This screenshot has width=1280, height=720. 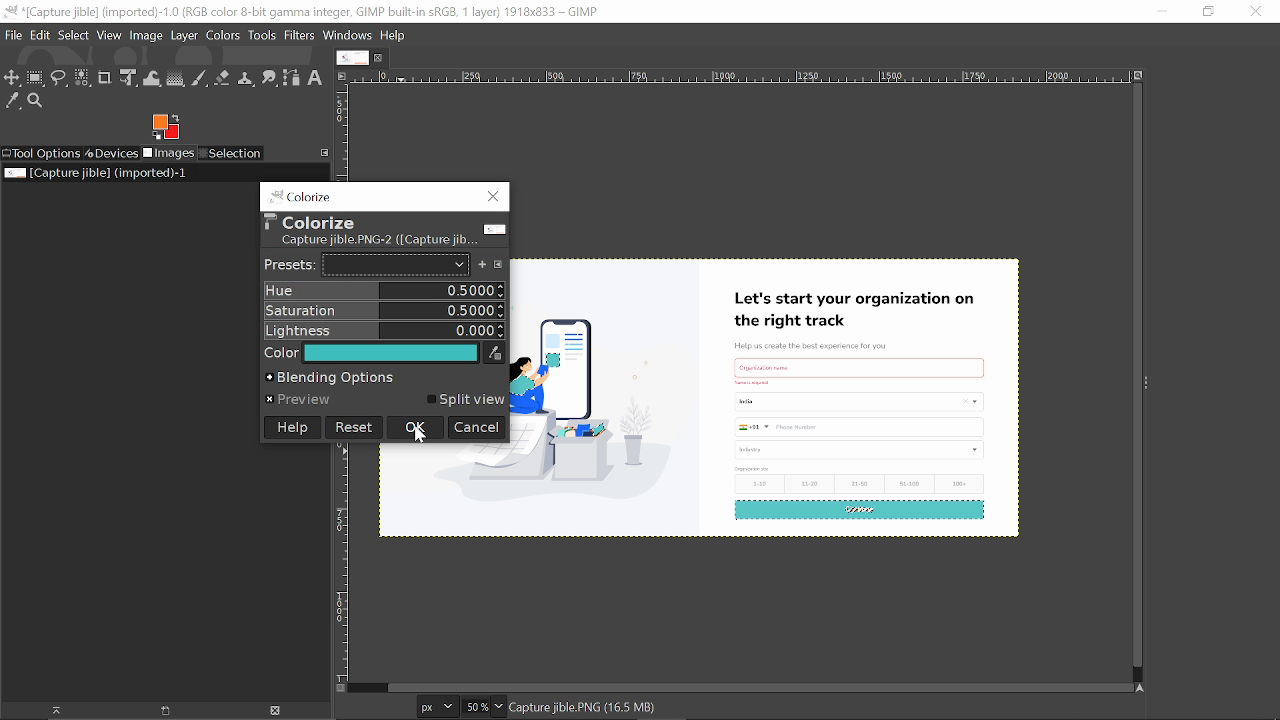 What do you see at coordinates (1152, 383) in the screenshot?
I see `Sidebar menu` at bounding box center [1152, 383].